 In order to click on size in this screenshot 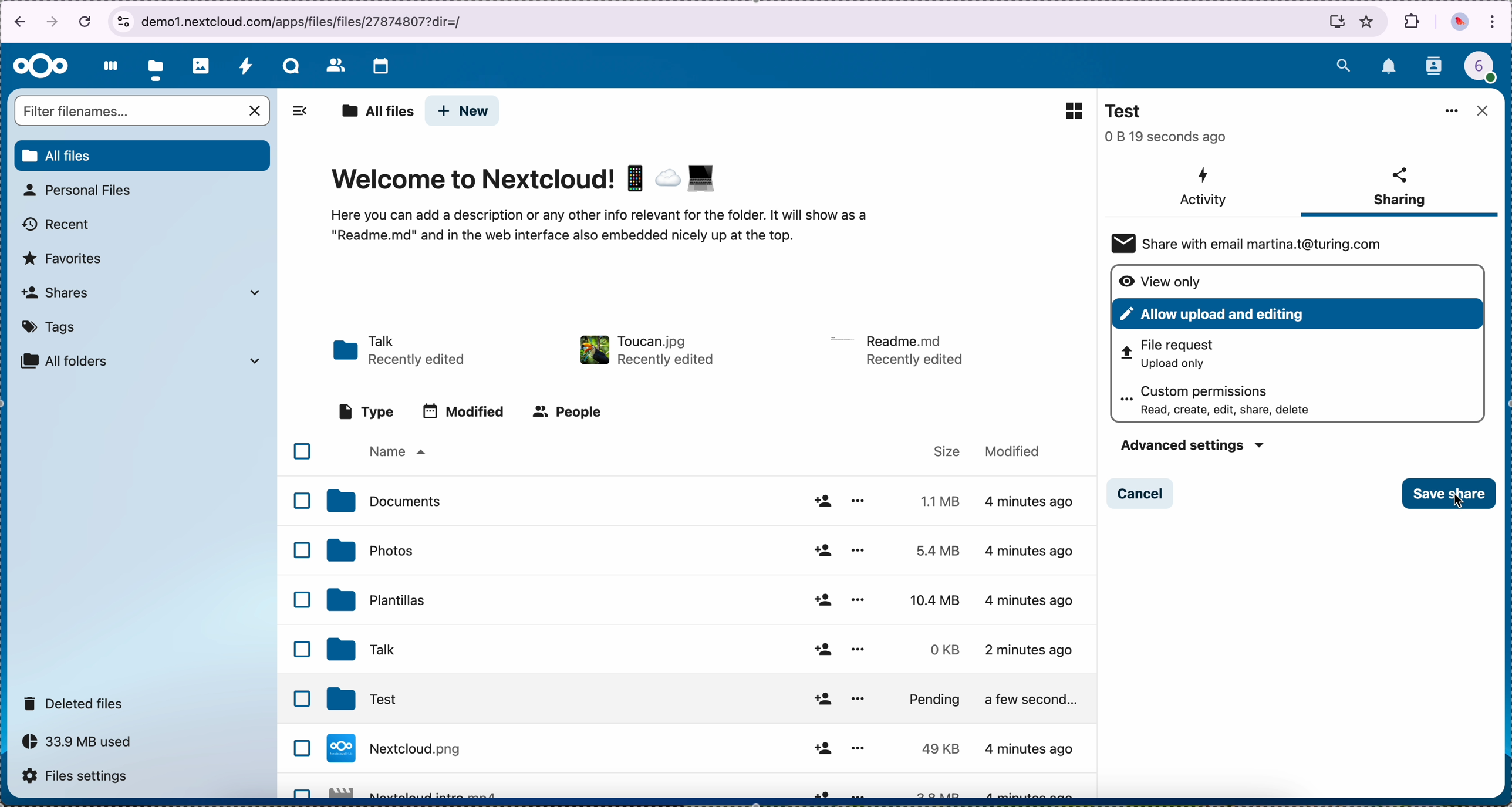, I will do `click(948, 450)`.